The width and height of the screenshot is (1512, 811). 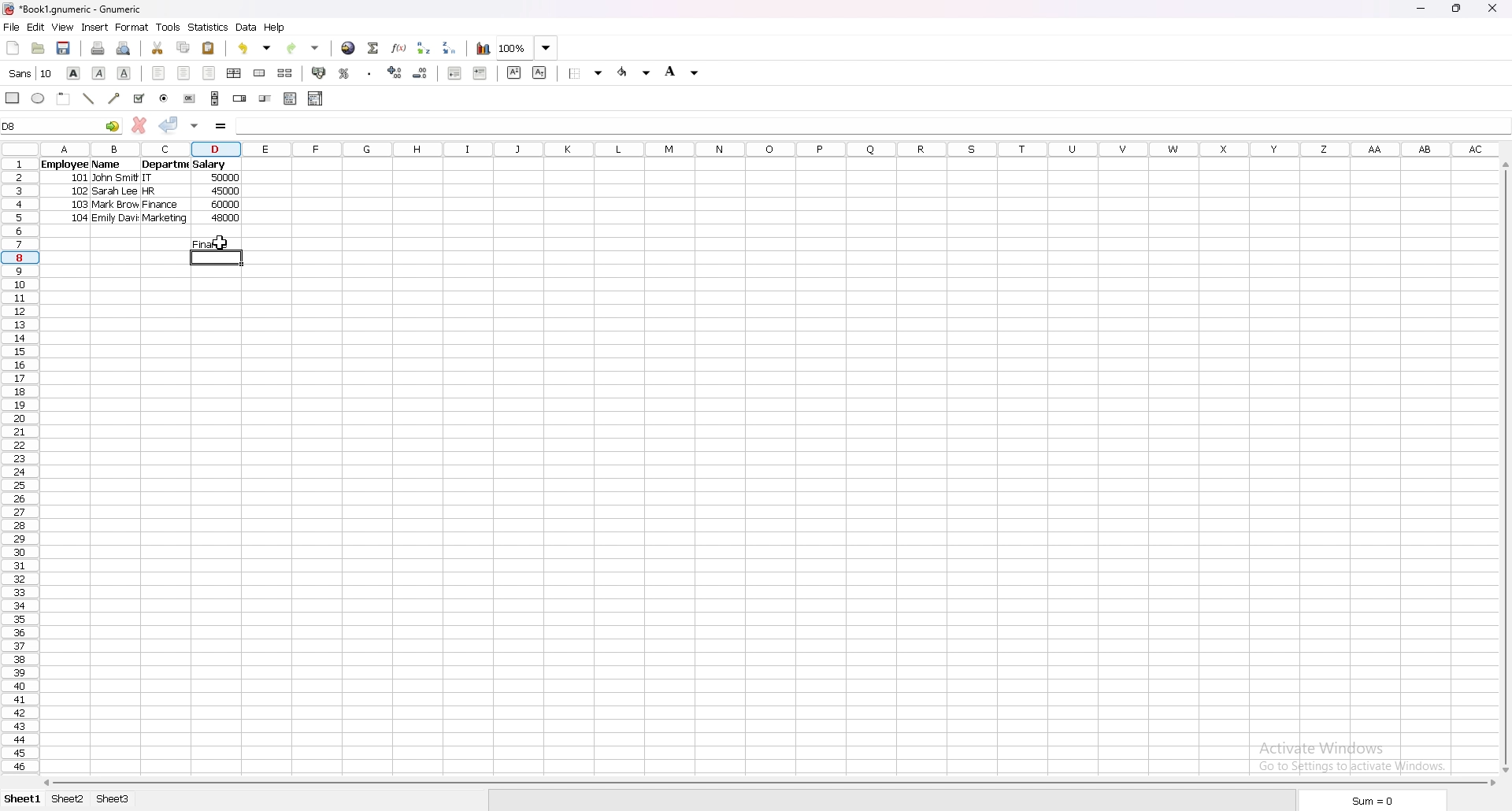 What do you see at coordinates (39, 48) in the screenshot?
I see `open` at bounding box center [39, 48].